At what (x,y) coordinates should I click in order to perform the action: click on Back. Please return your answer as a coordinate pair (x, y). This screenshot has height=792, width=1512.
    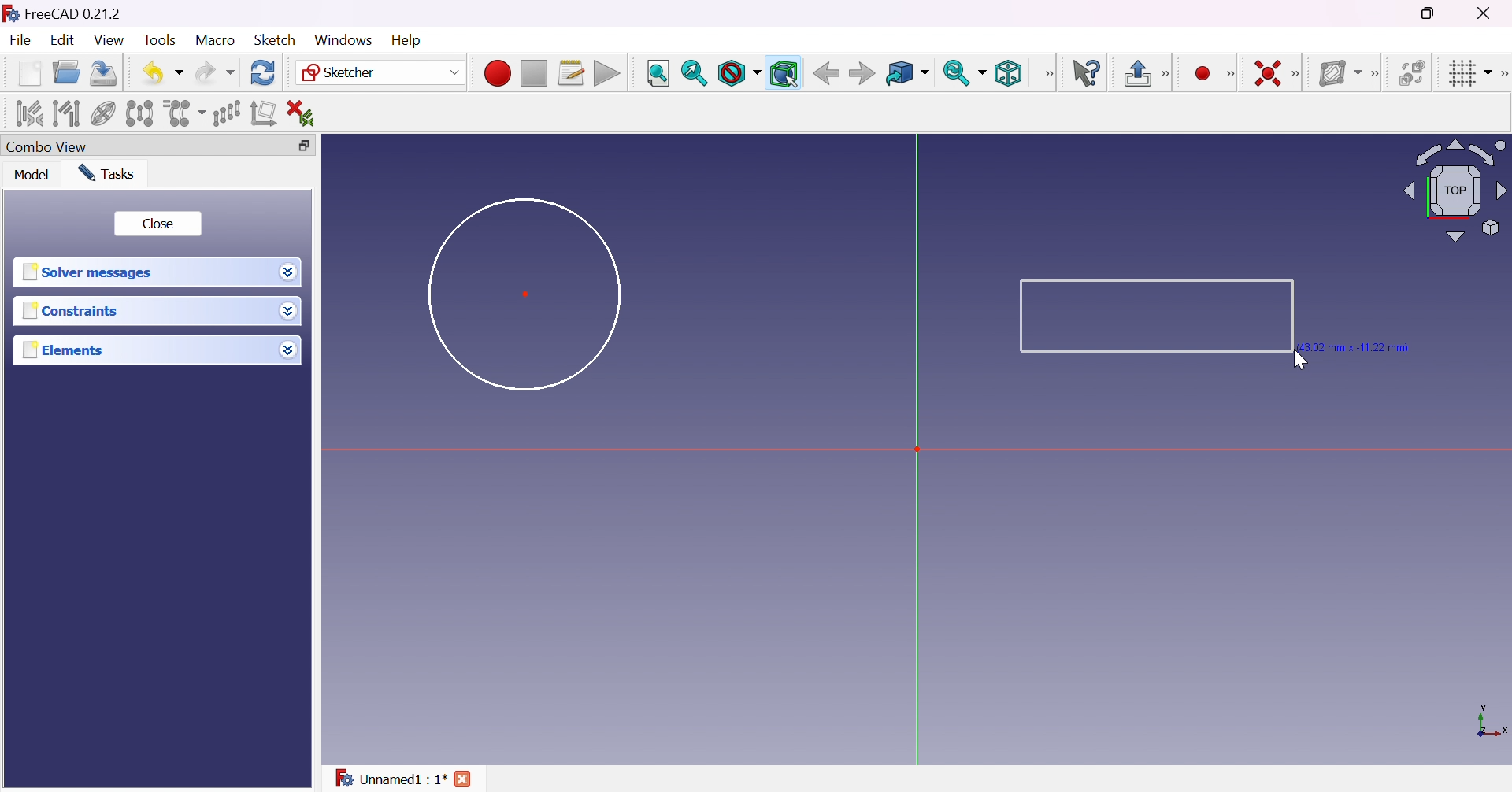
    Looking at the image, I should click on (826, 72).